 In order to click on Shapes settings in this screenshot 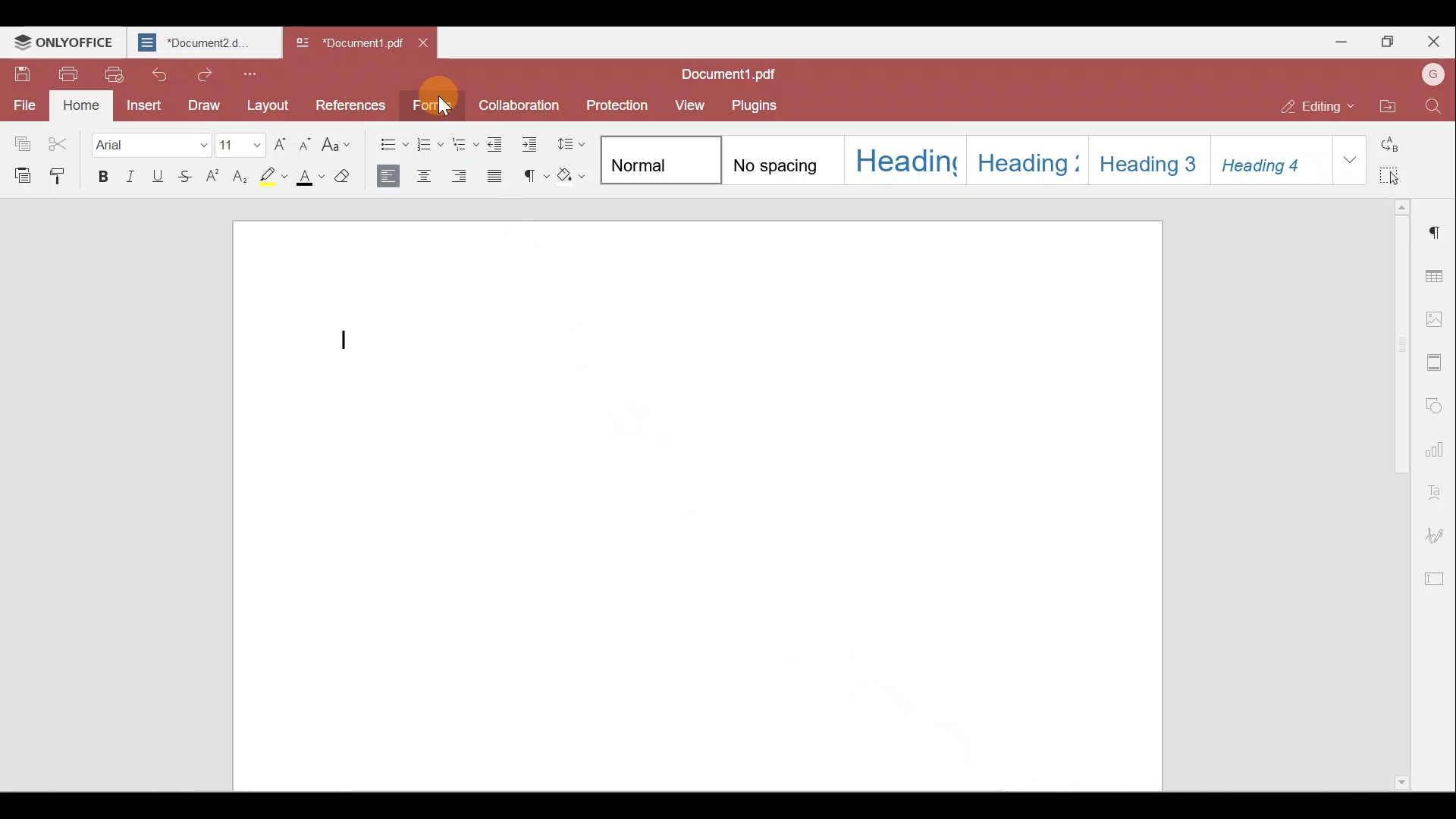, I will do `click(1438, 406)`.